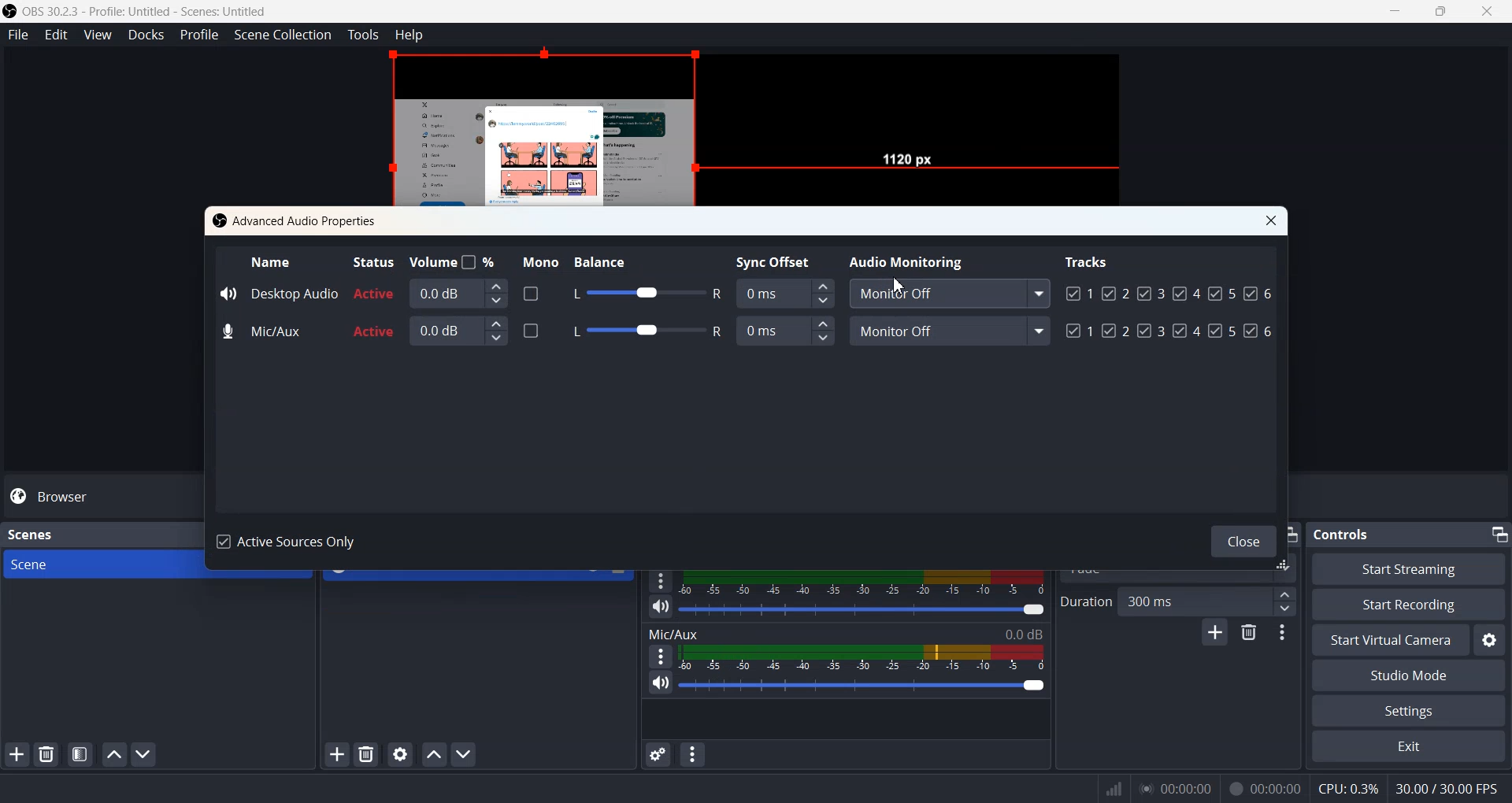 This screenshot has width=1512, height=803. I want to click on Open source properties, so click(402, 753).